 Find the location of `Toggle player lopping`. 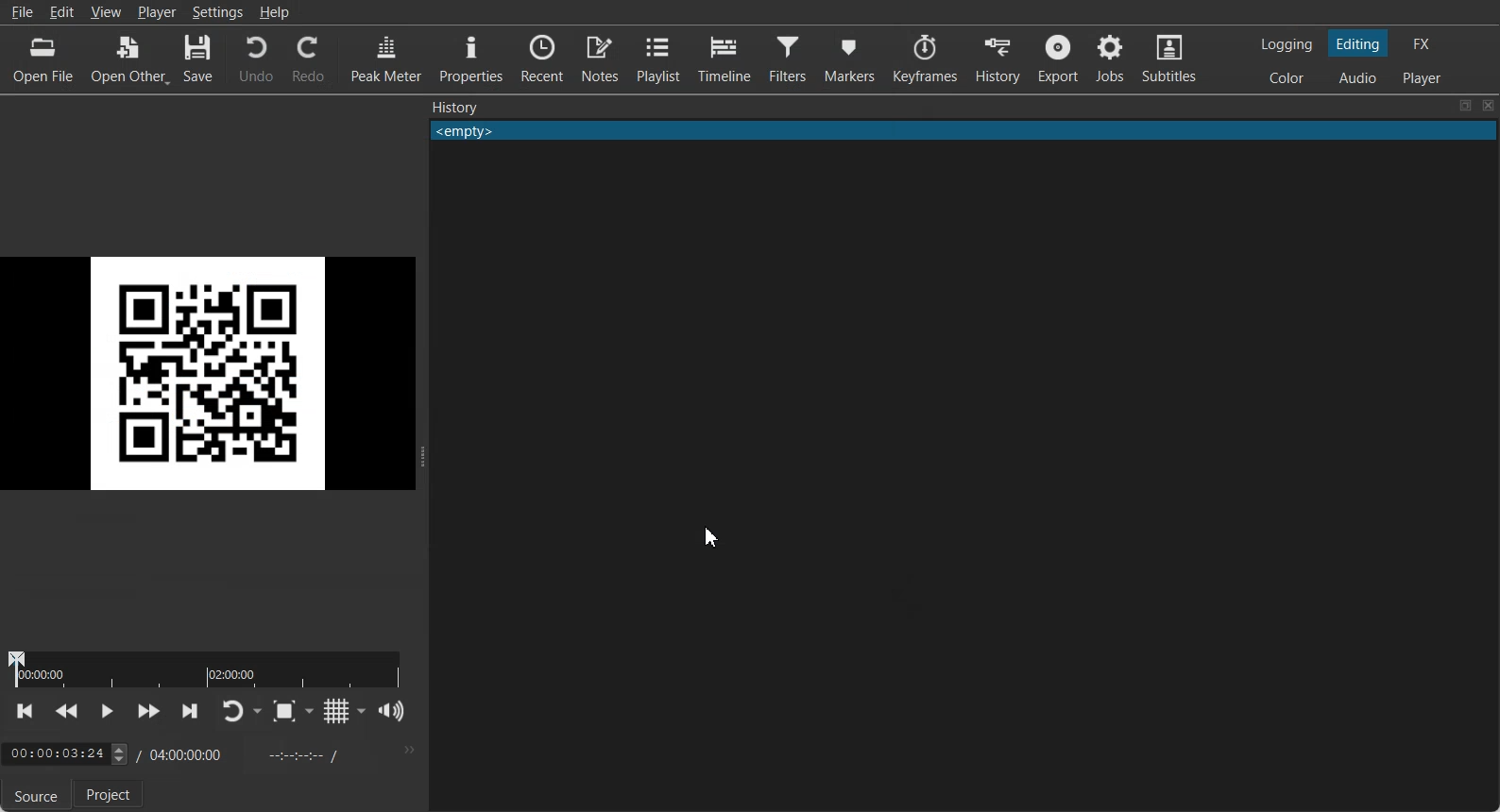

Toggle player lopping is located at coordinates (233, 711).